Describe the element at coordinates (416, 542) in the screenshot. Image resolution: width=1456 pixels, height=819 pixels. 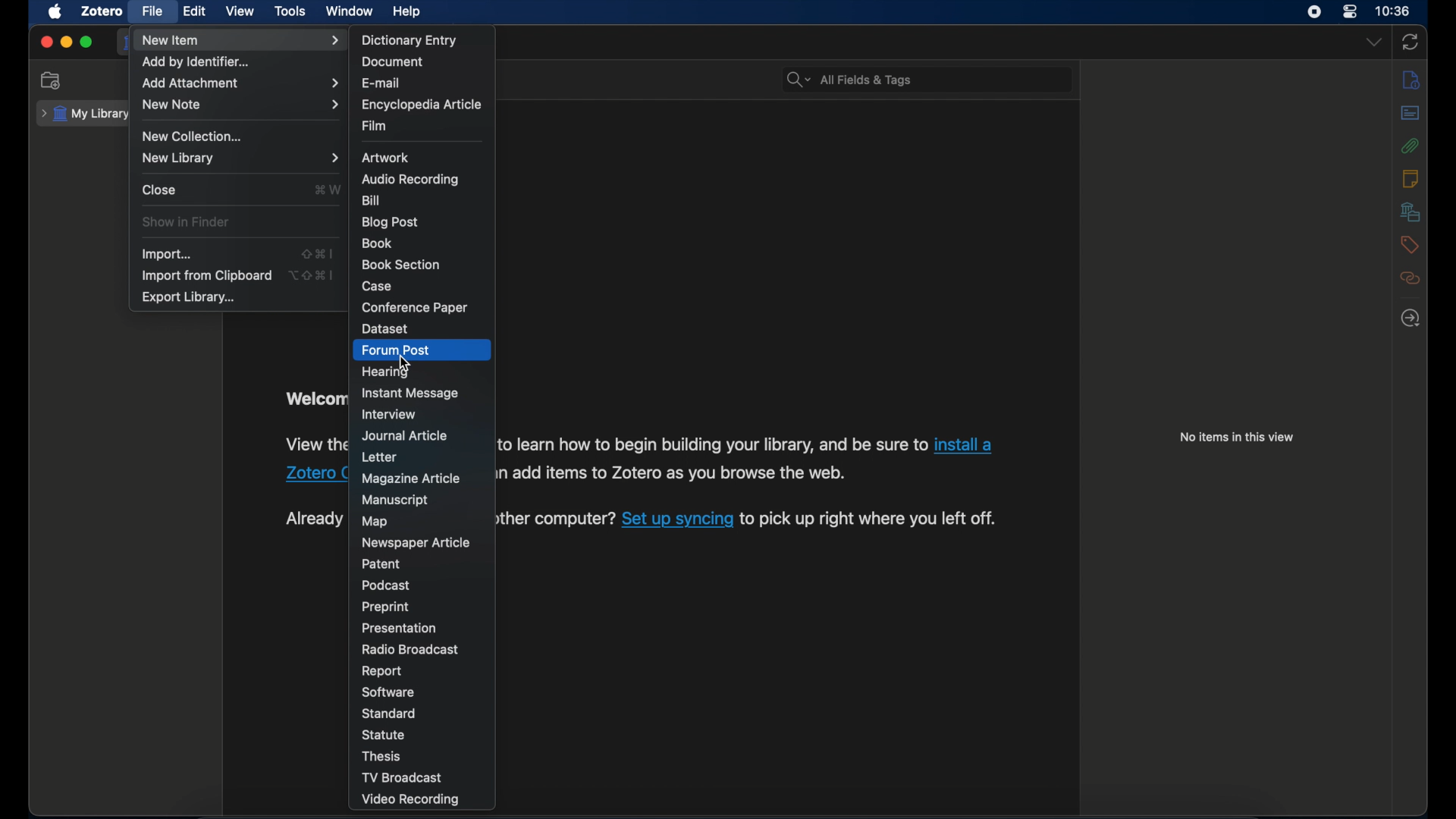
I see `newspaper article` at that location.